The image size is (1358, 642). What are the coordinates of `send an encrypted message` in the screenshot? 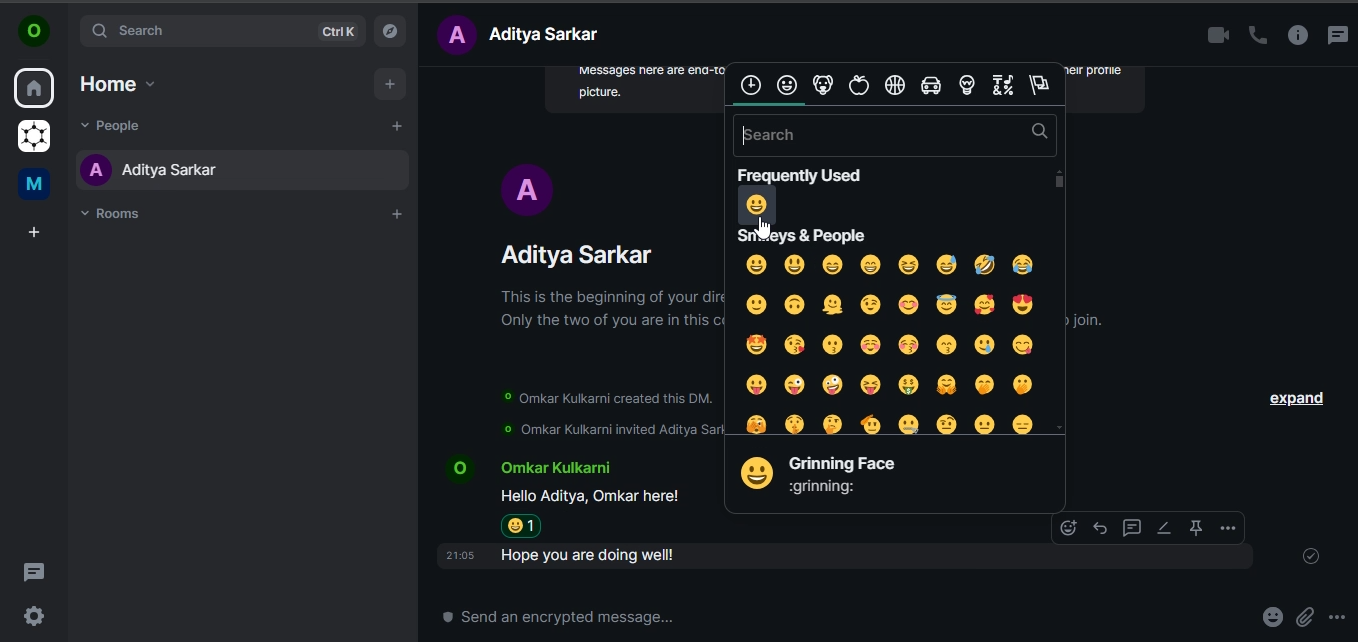 It's located at (575, 618).